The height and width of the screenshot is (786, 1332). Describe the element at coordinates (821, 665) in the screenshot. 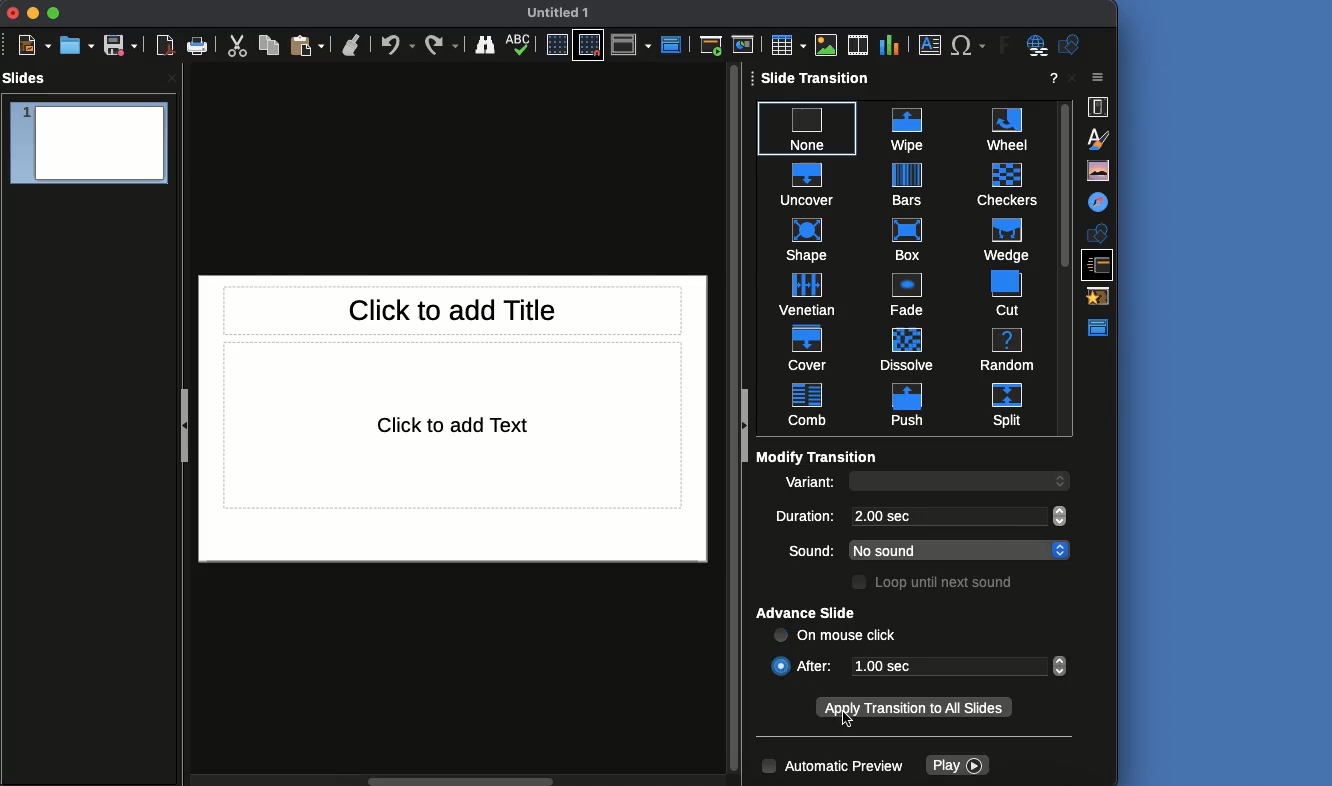

I see `After` at that location.